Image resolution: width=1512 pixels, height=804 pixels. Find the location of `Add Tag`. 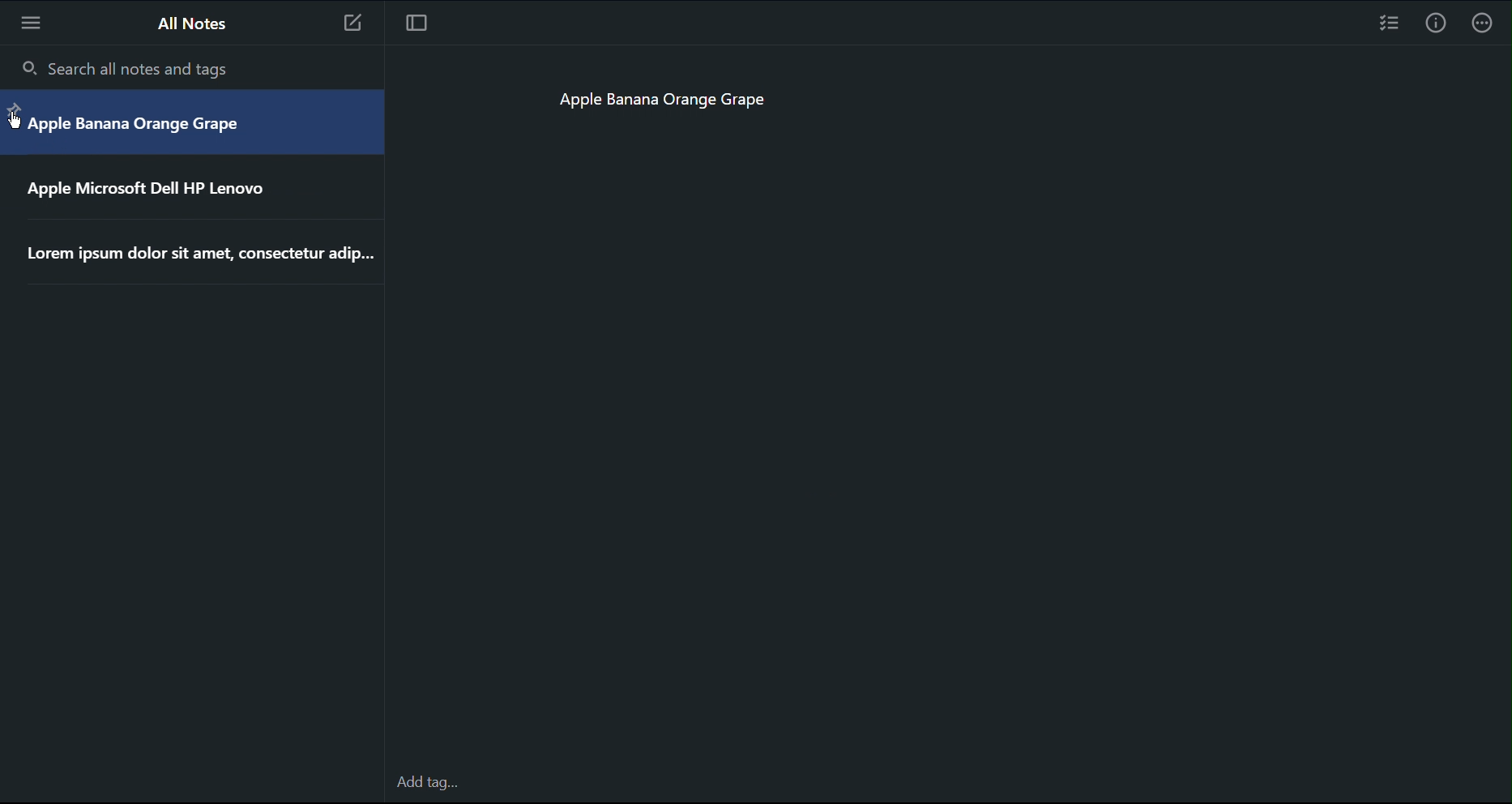

Add Tag is located at coordinates (430, 783).